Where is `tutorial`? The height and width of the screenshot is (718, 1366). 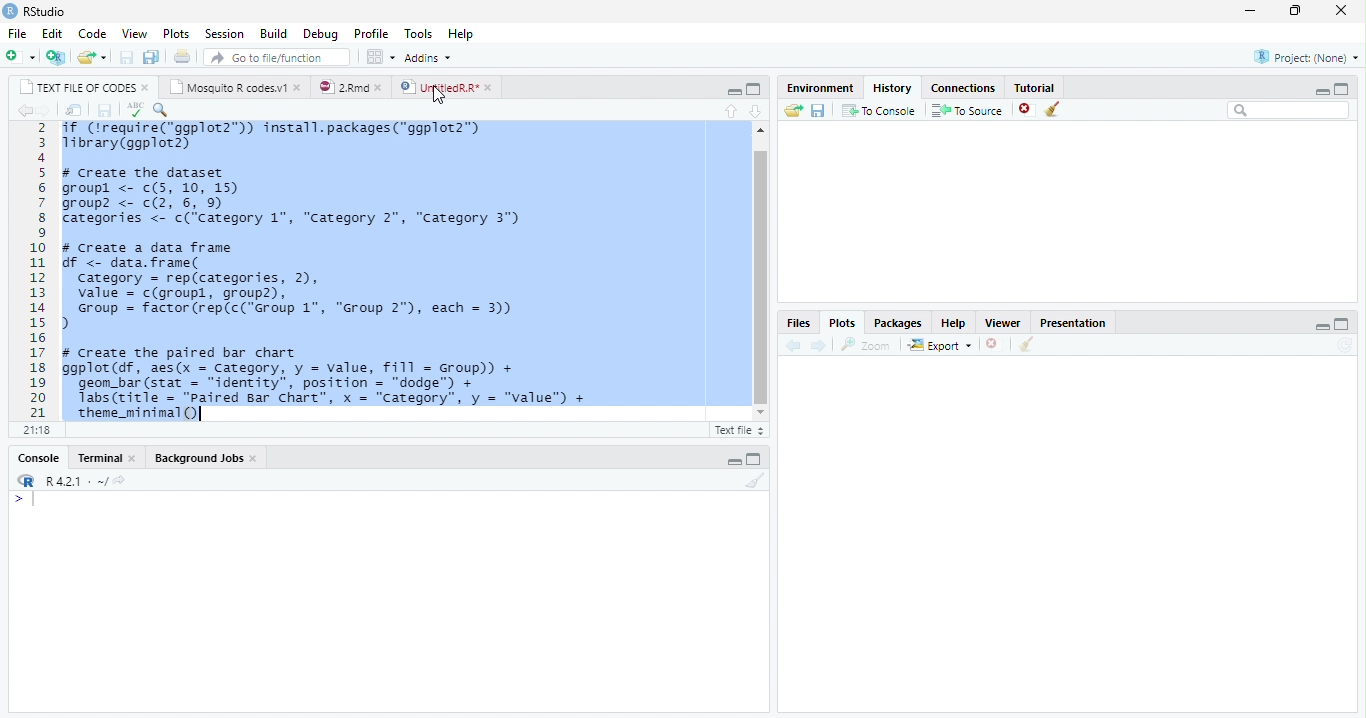 tutorial is located at coordinates (1045, 88).